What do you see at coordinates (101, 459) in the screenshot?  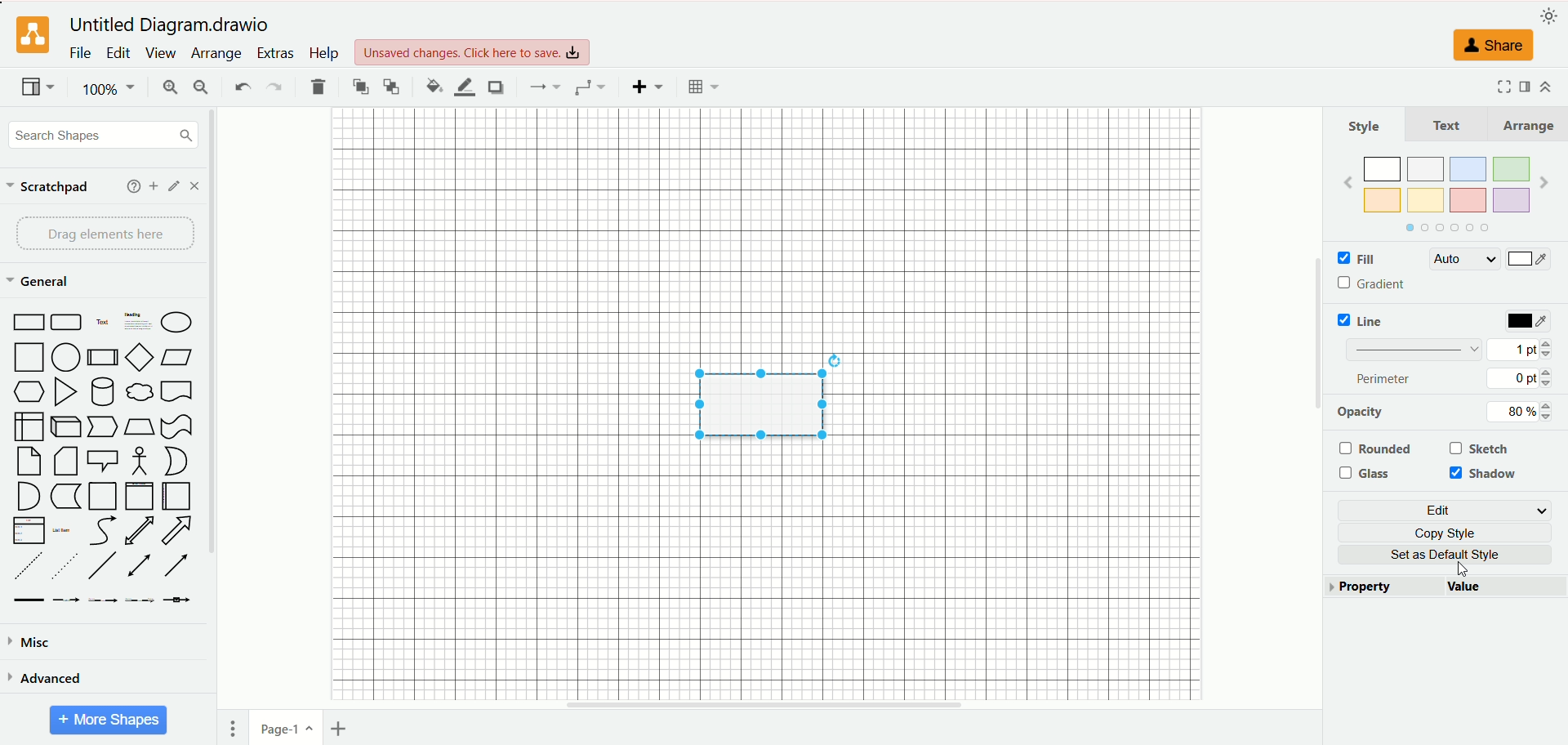 I see `shapes` at bounding box center [101, 459].